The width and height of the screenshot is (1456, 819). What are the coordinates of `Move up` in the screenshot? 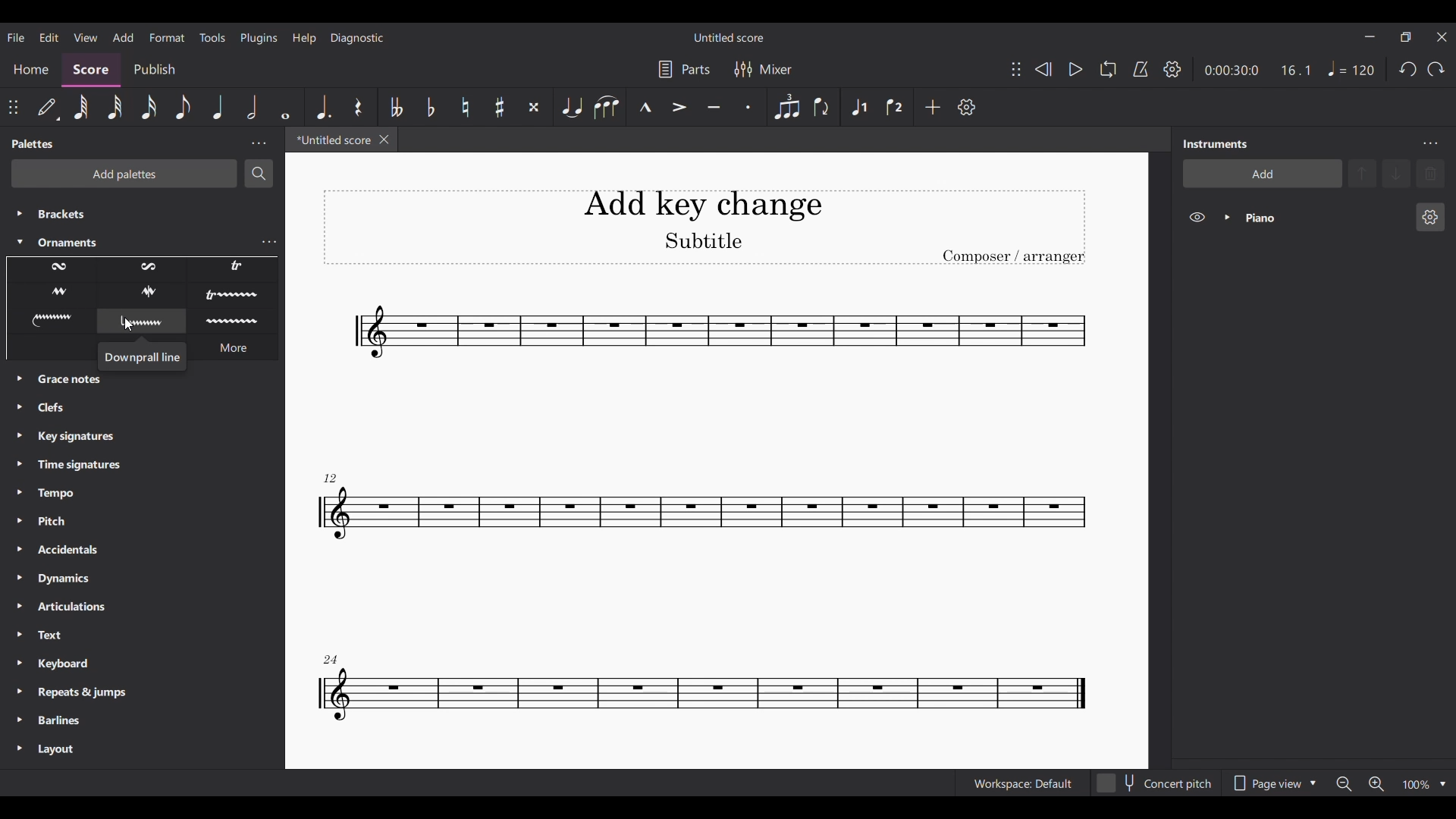 It's located at (1362, 174).